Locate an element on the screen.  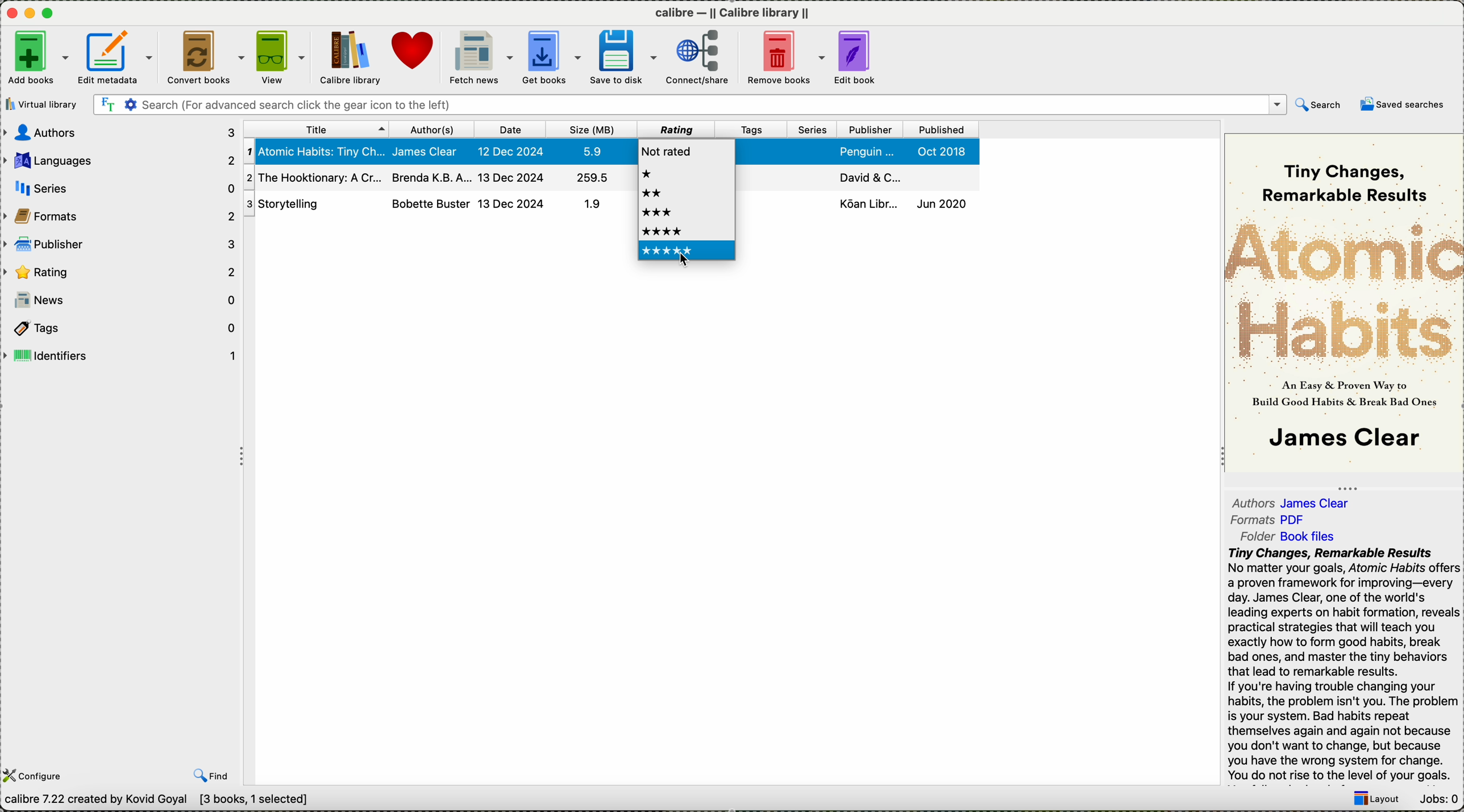
penguin ... is located at coordinates (868, 151).